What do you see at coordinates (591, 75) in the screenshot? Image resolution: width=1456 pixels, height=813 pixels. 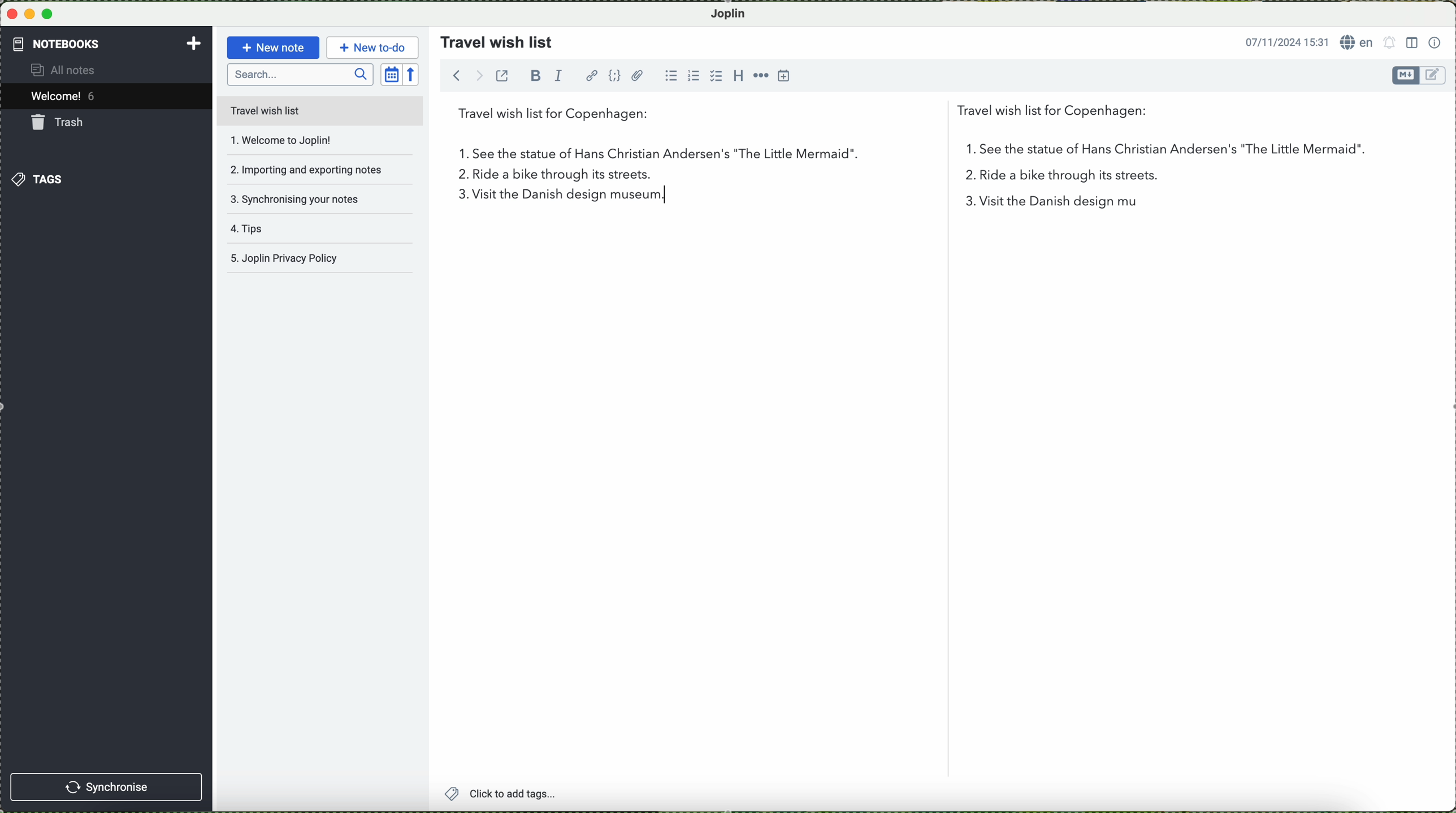 I see `hyperlink` at bounding box center [591, 75].